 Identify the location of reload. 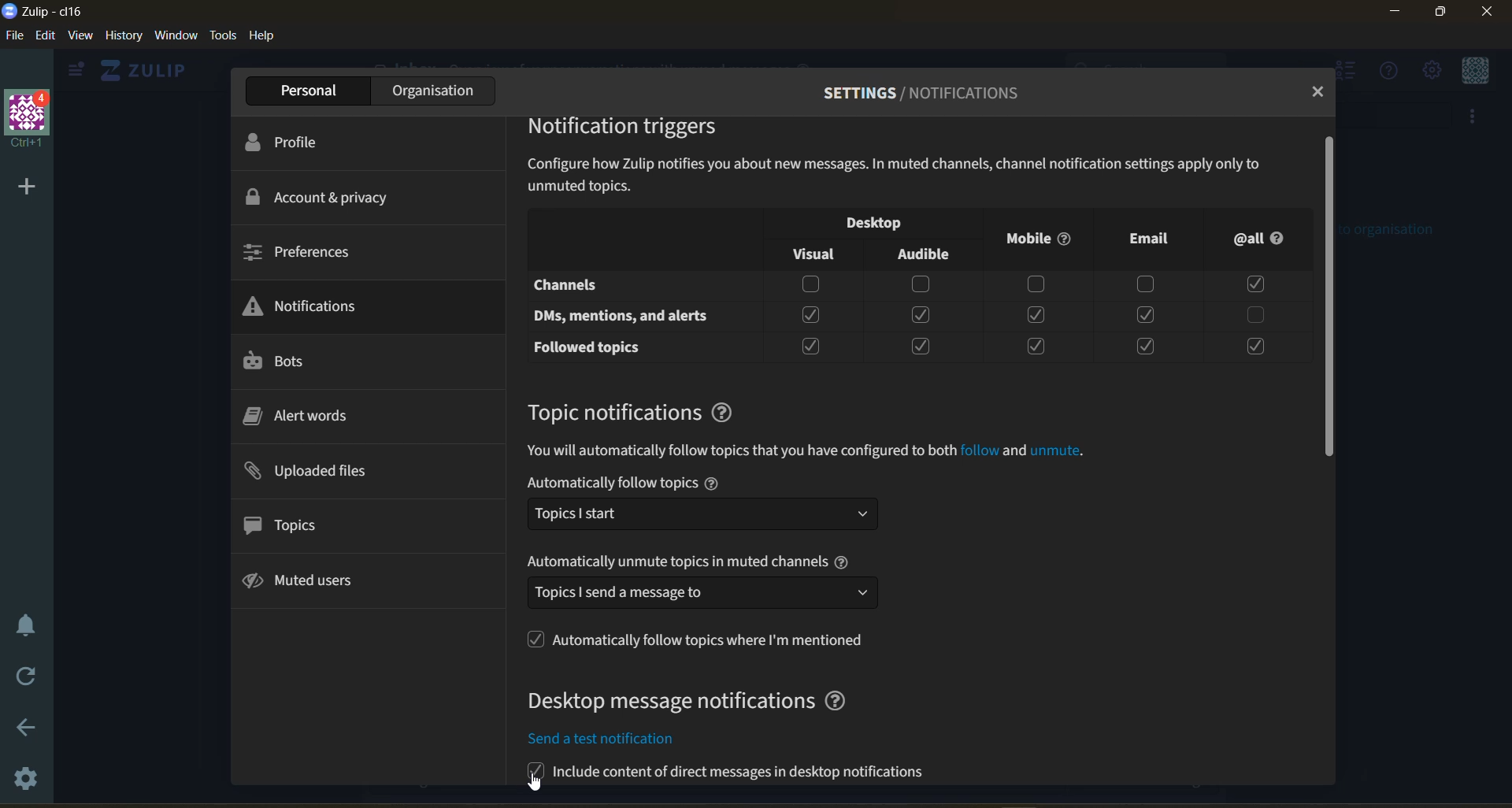
(28, 677).